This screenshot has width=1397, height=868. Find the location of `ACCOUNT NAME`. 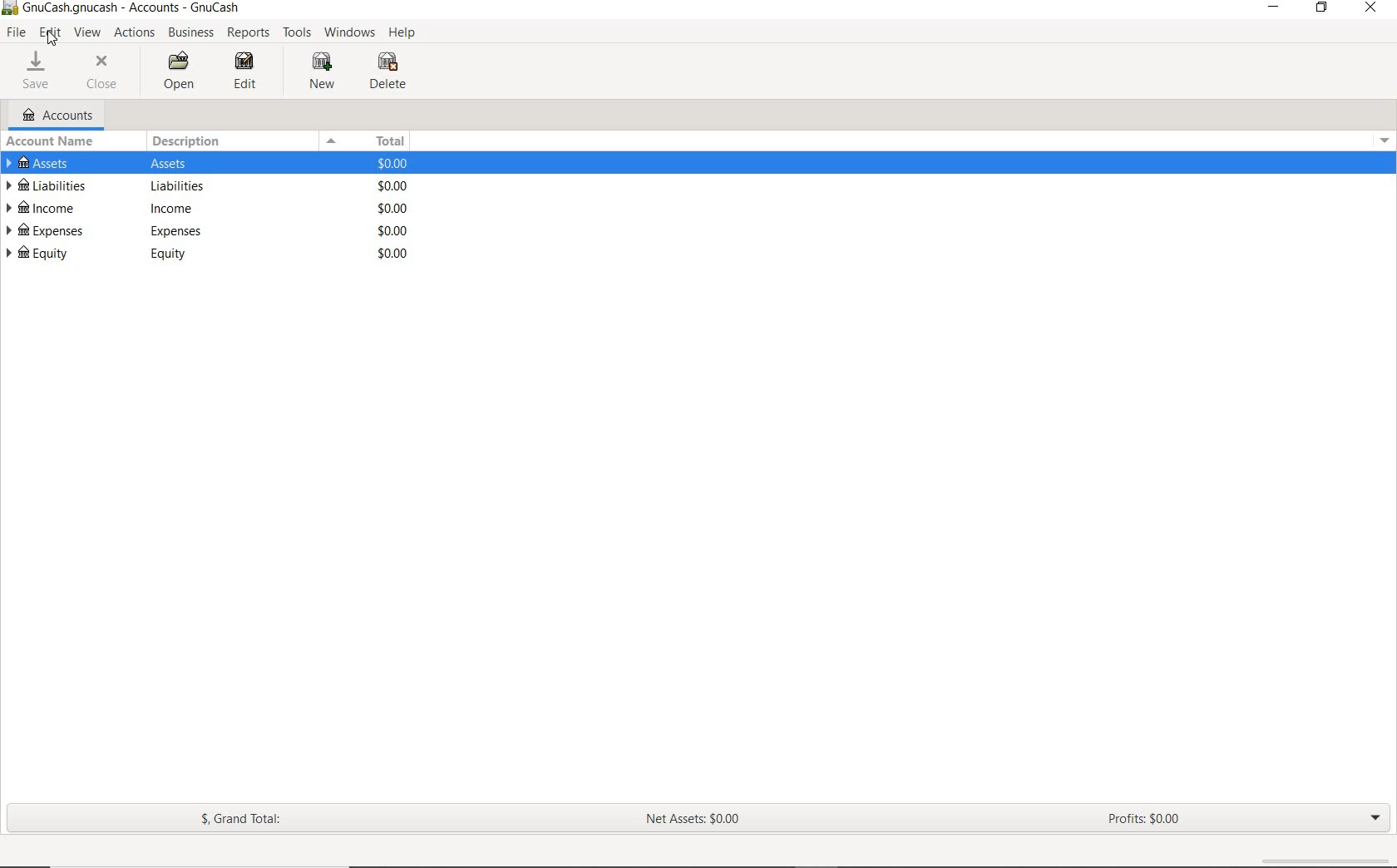

ACCOUNT NAME is located at coordinates (53, 141).